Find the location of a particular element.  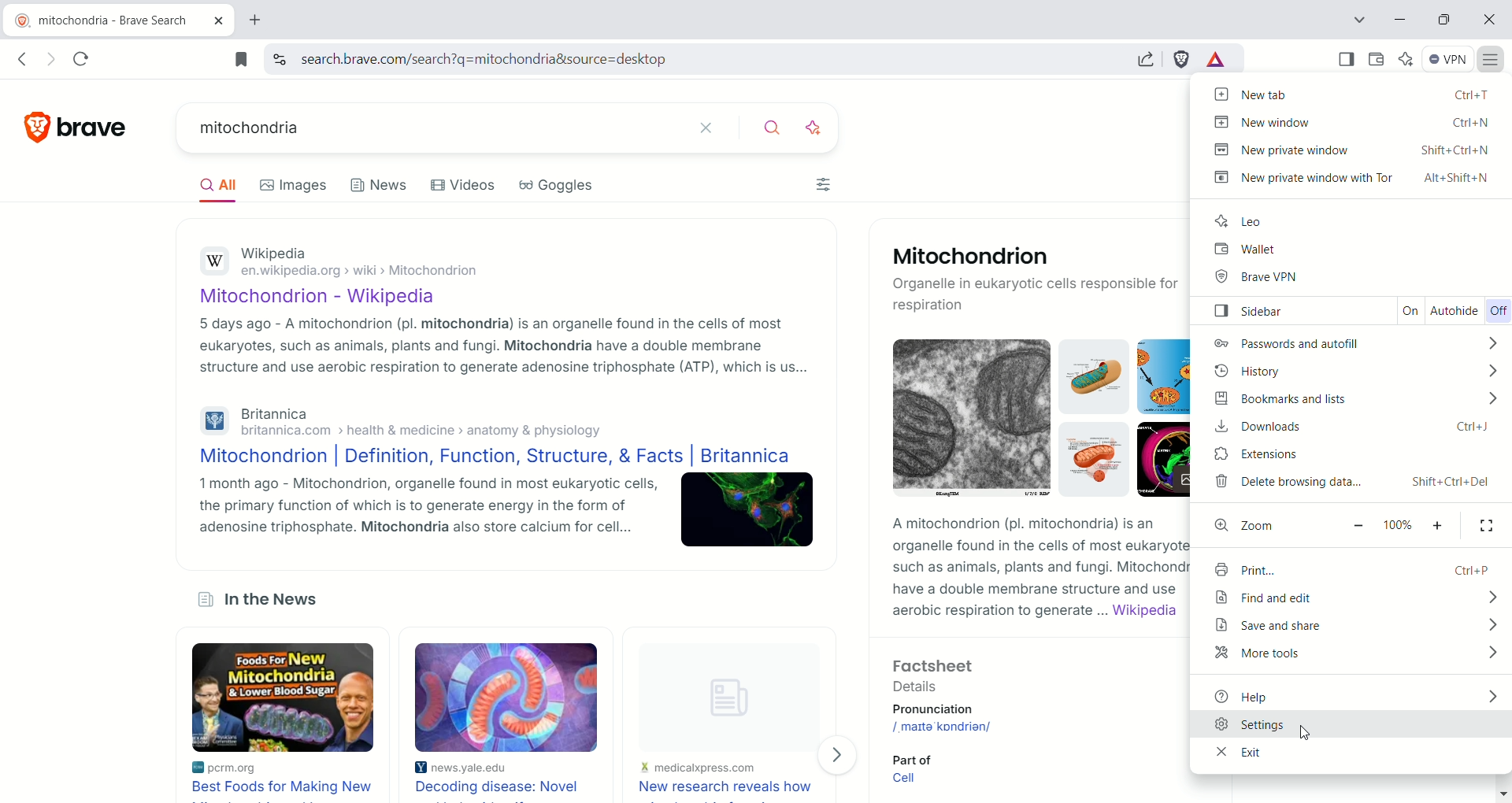

new research reveals how is located at coordinates (734, 728).